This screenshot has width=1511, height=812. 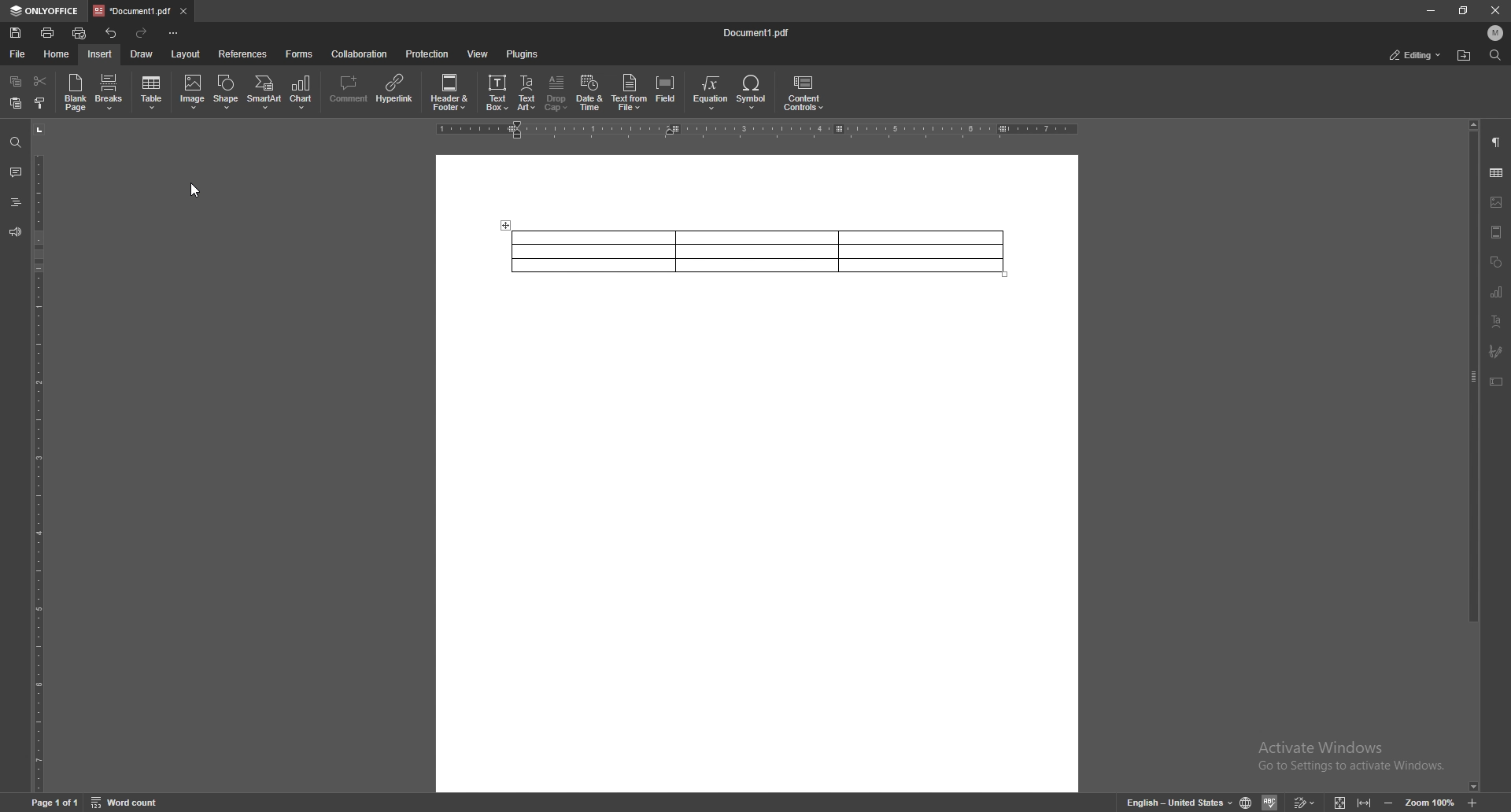 What do you see at coordinates (79, 34) in the screenshot?
I see `quick print` at bounding box center [79, 34].